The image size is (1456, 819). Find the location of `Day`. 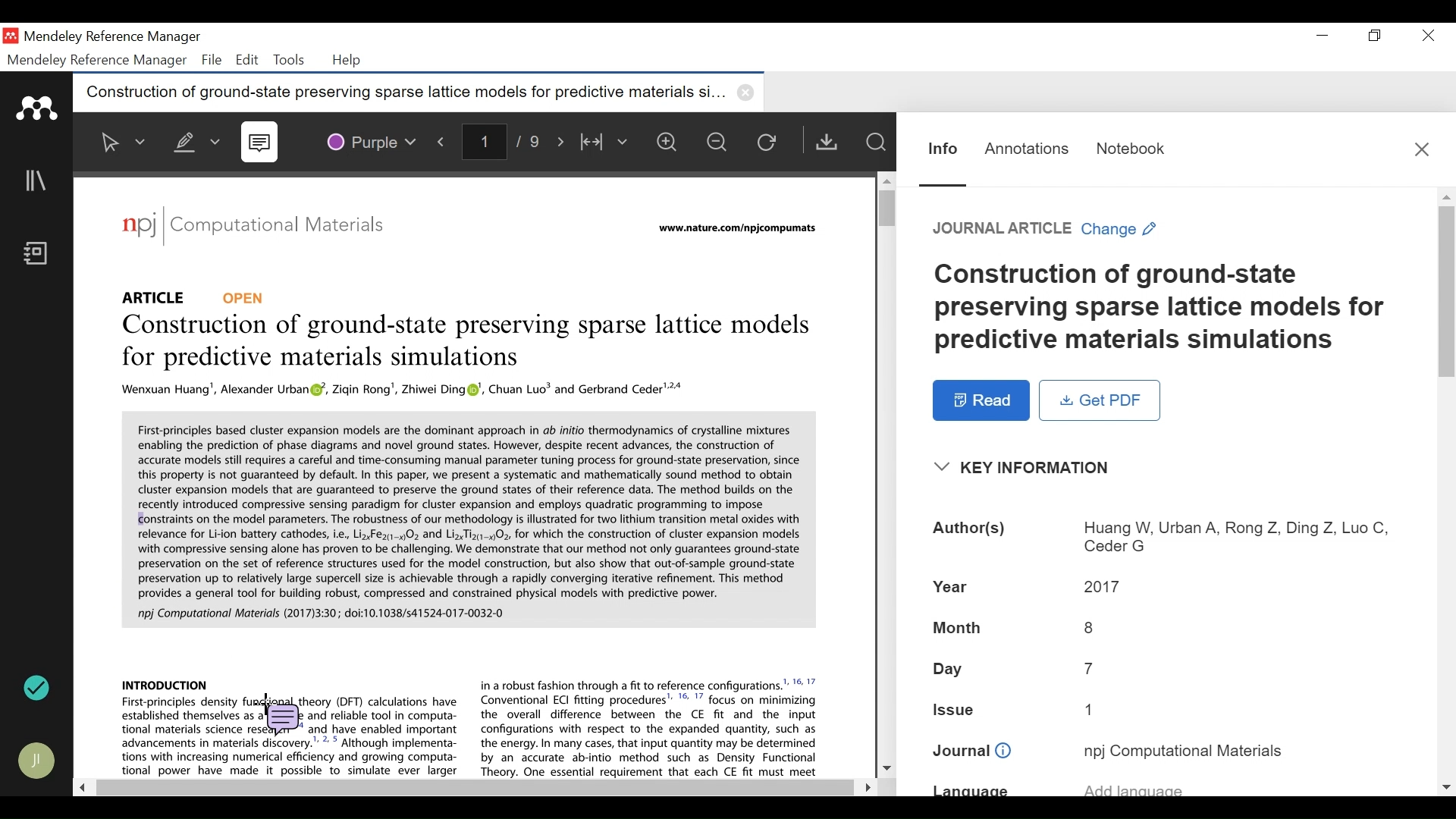

Day is located at coordinates (1166, 671).